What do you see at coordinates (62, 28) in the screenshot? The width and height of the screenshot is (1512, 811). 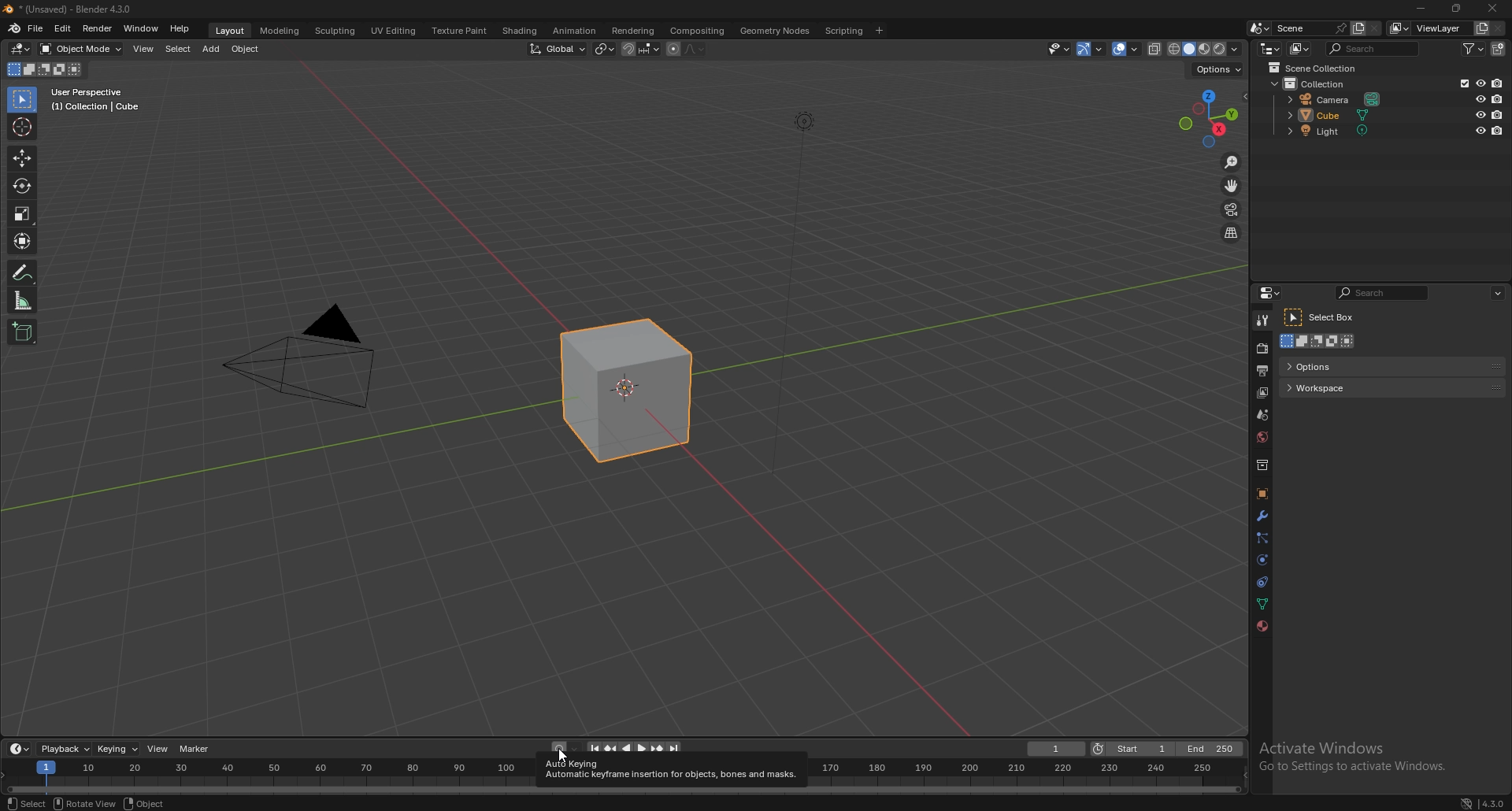 I see `edit` at bounding box center [62, 28].